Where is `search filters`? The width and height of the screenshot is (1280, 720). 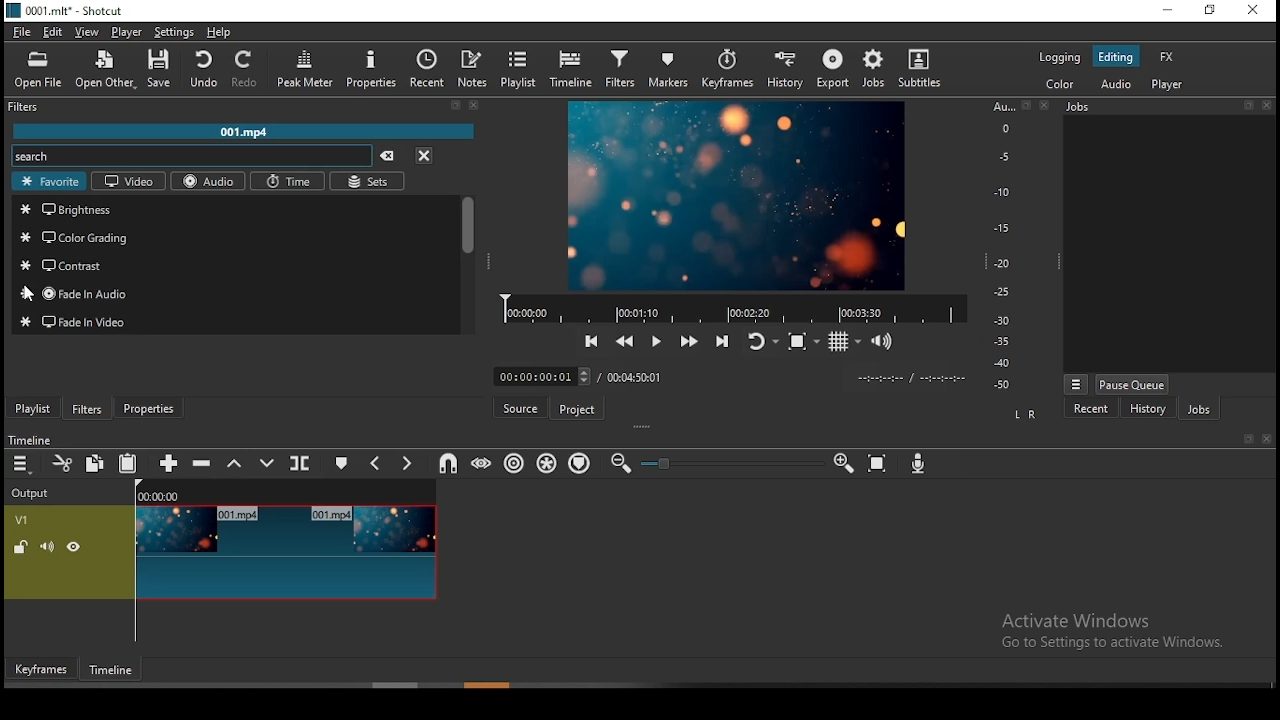 search filters is located at coordinates (191, 155).